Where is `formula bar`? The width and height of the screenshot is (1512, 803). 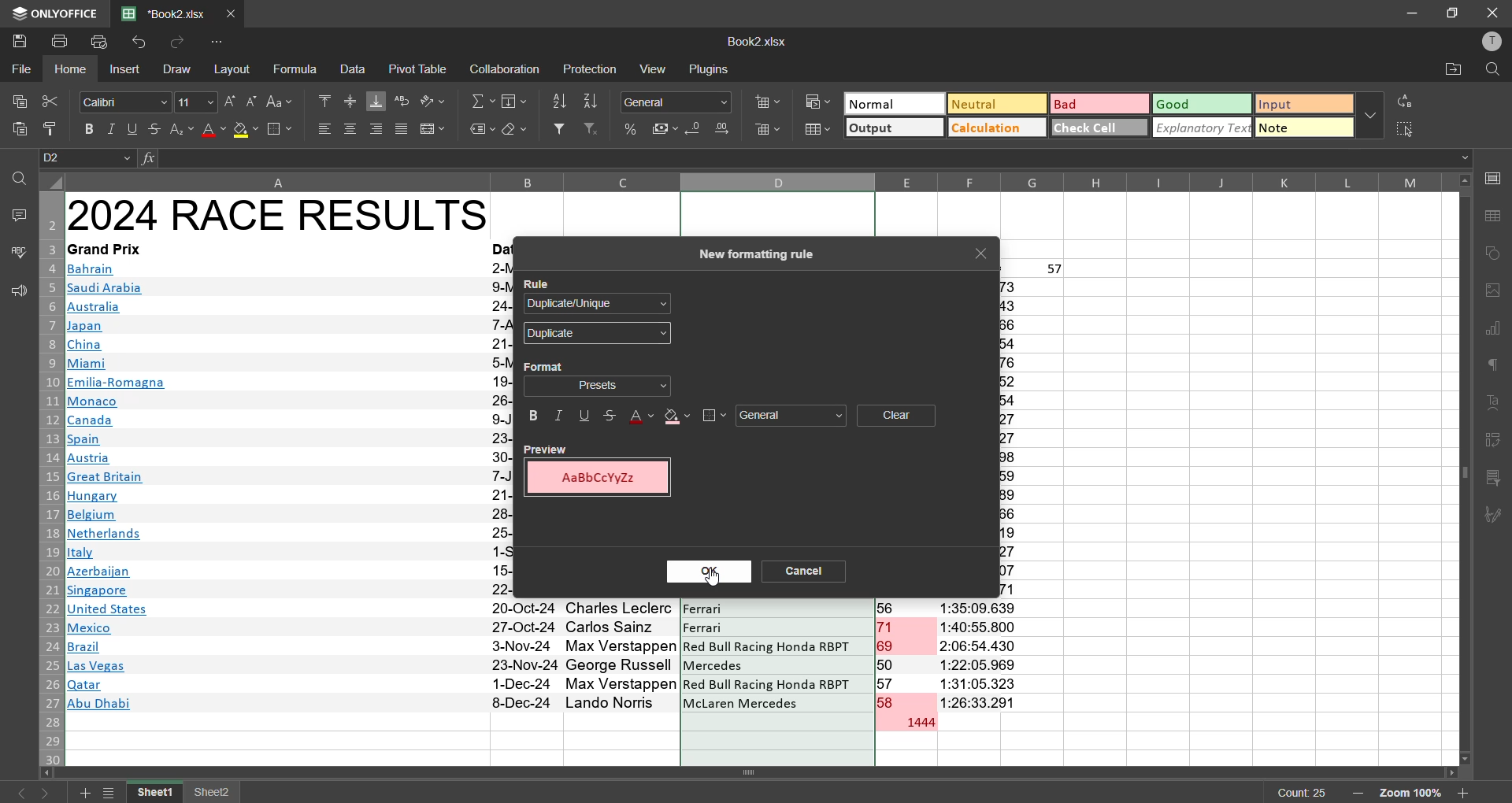
formula bar is located at coordinates (807, 158).